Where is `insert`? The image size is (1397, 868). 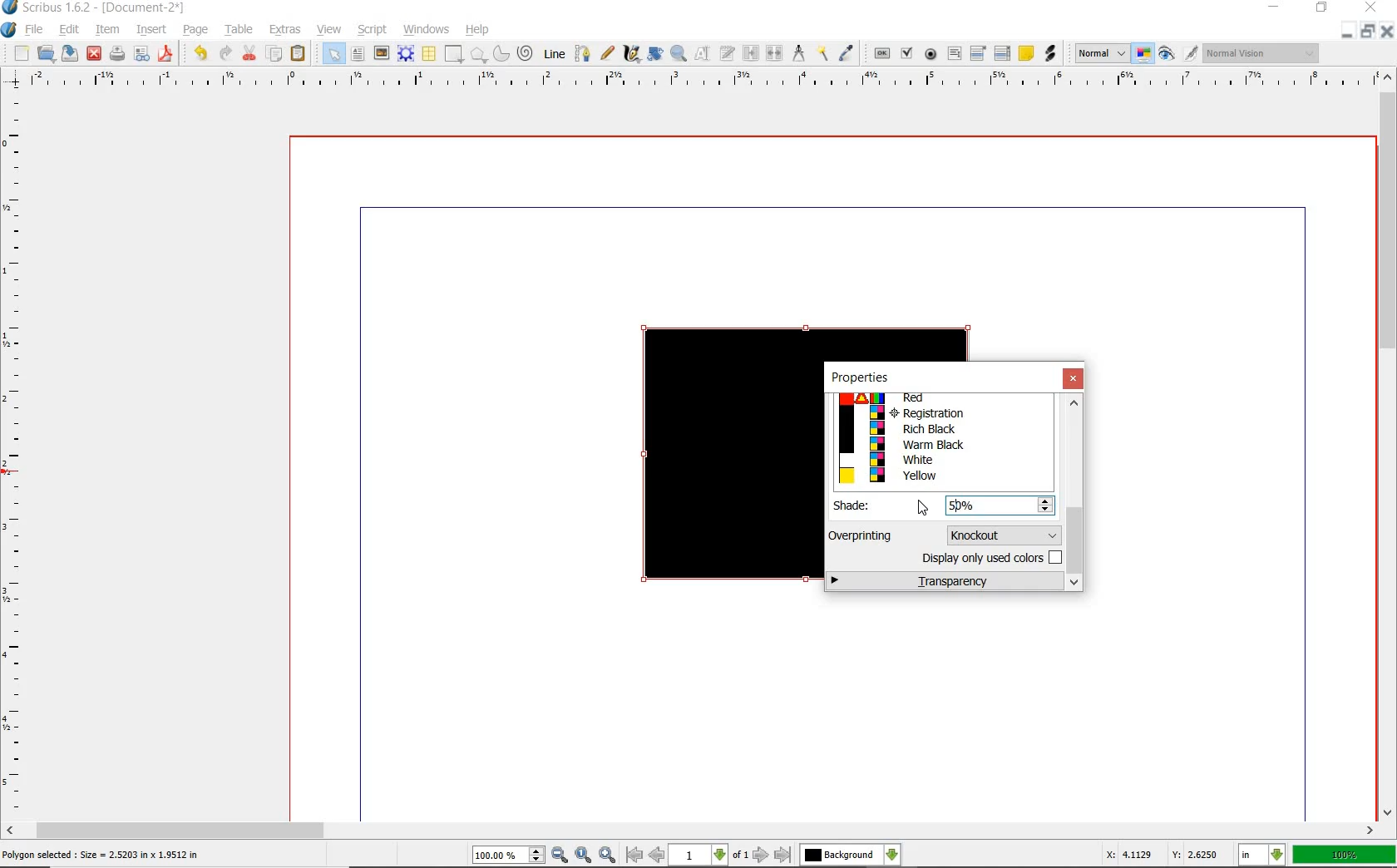
insert is located at coordinates (154, 29).